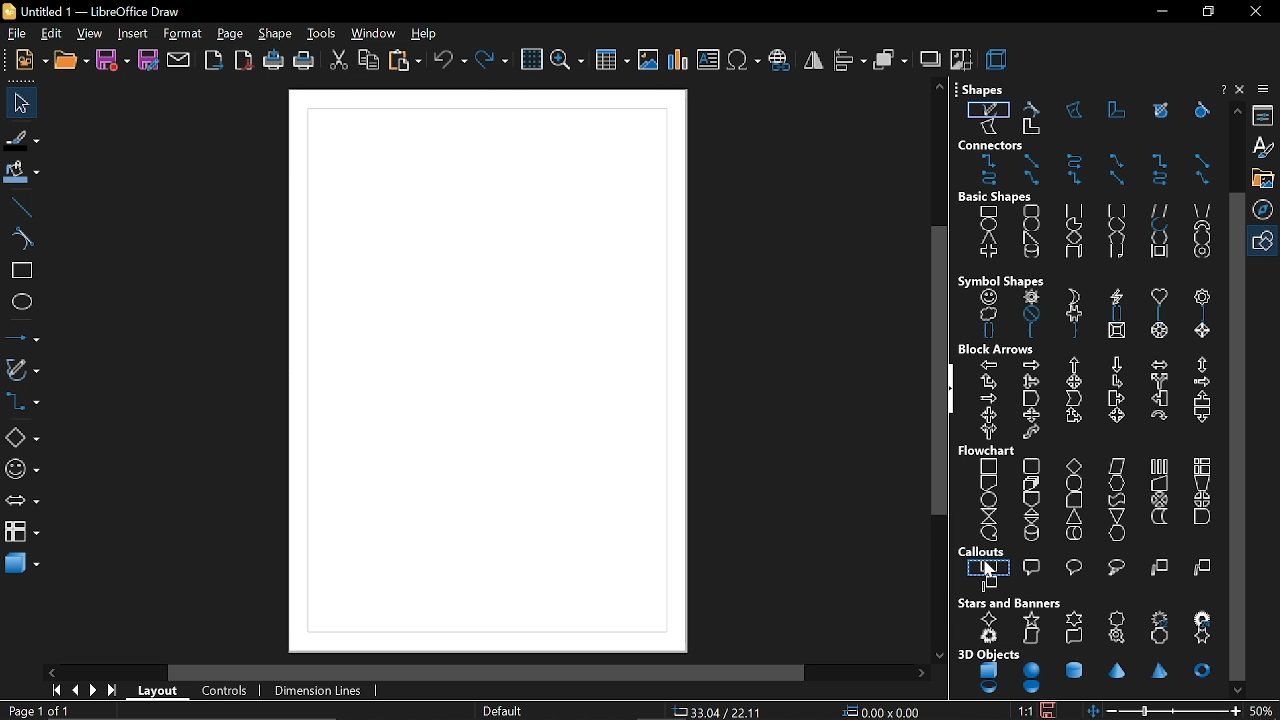 The height and width of the screenshot is (720, 1280). What do you see at coordinates (1029, 132) in the screenshot?
I see `polygon 45 filled` at bounding box center [1029, 132].